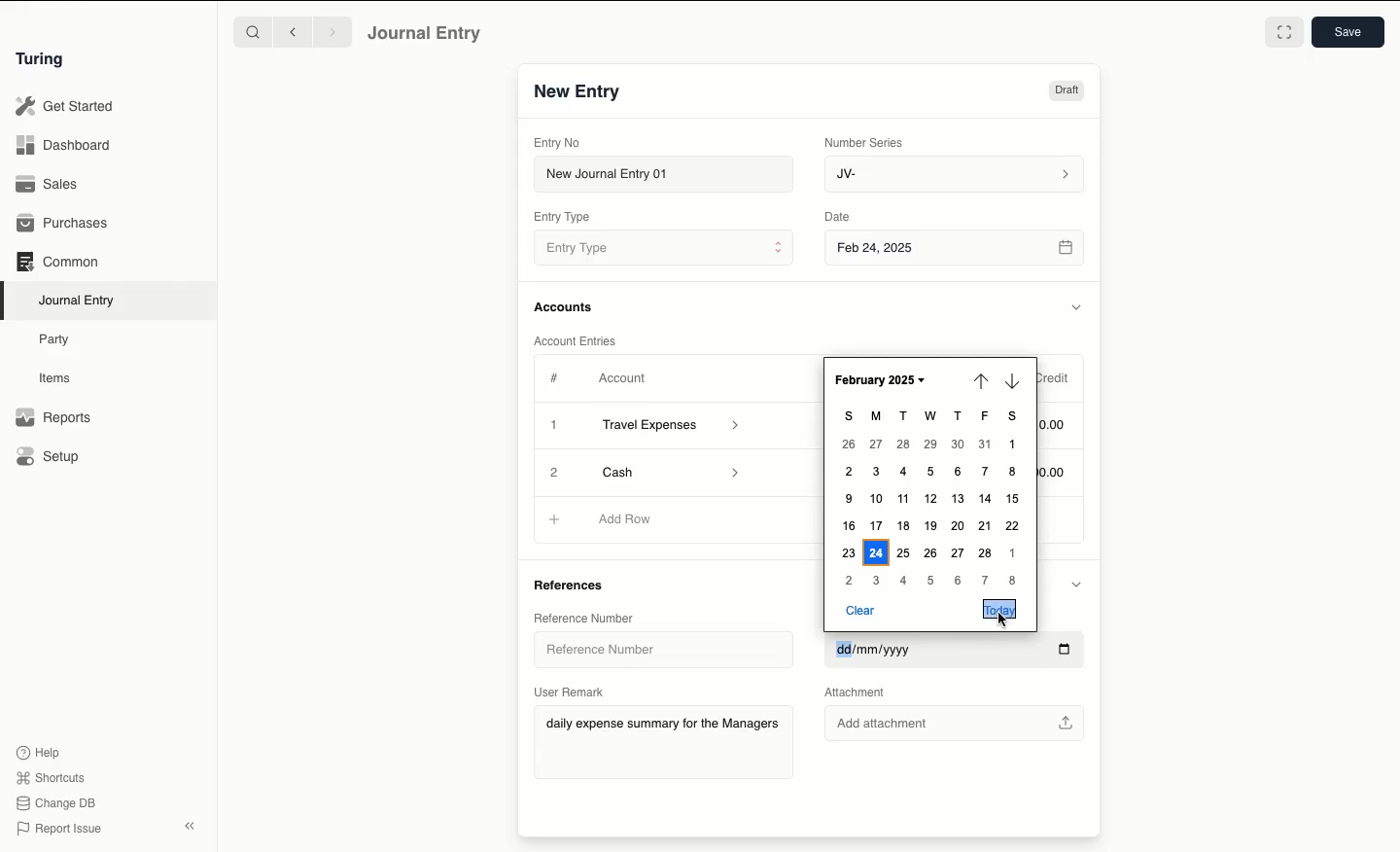 The height and width of the screenshot is (852, 1400). I want to click on Account Entries, so click(578, 340).